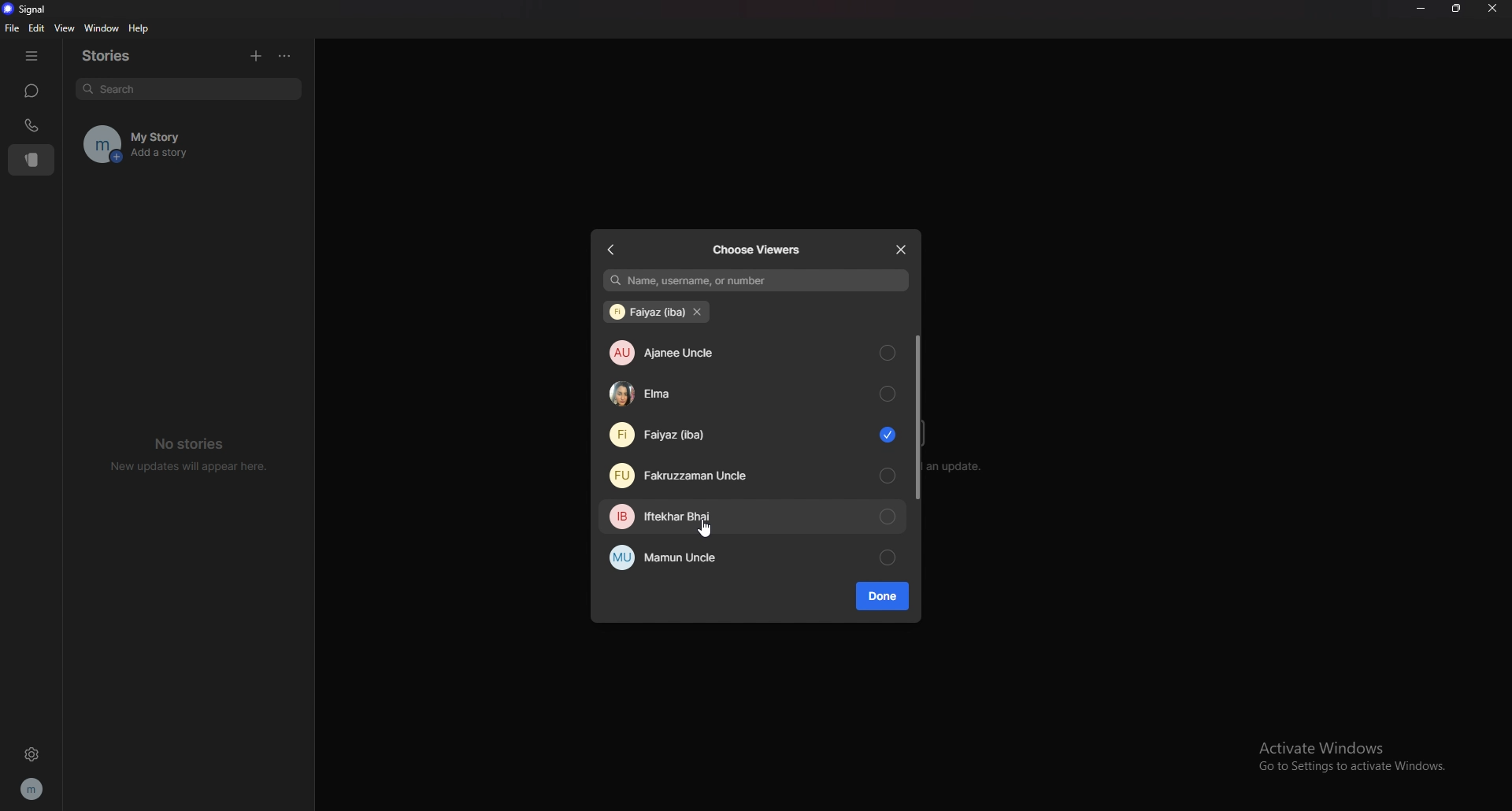 The width and height of the screenshot is (1512, 811). Describe the element at coordinates (750, 395) in the screenshot. I see `elma` at that location.